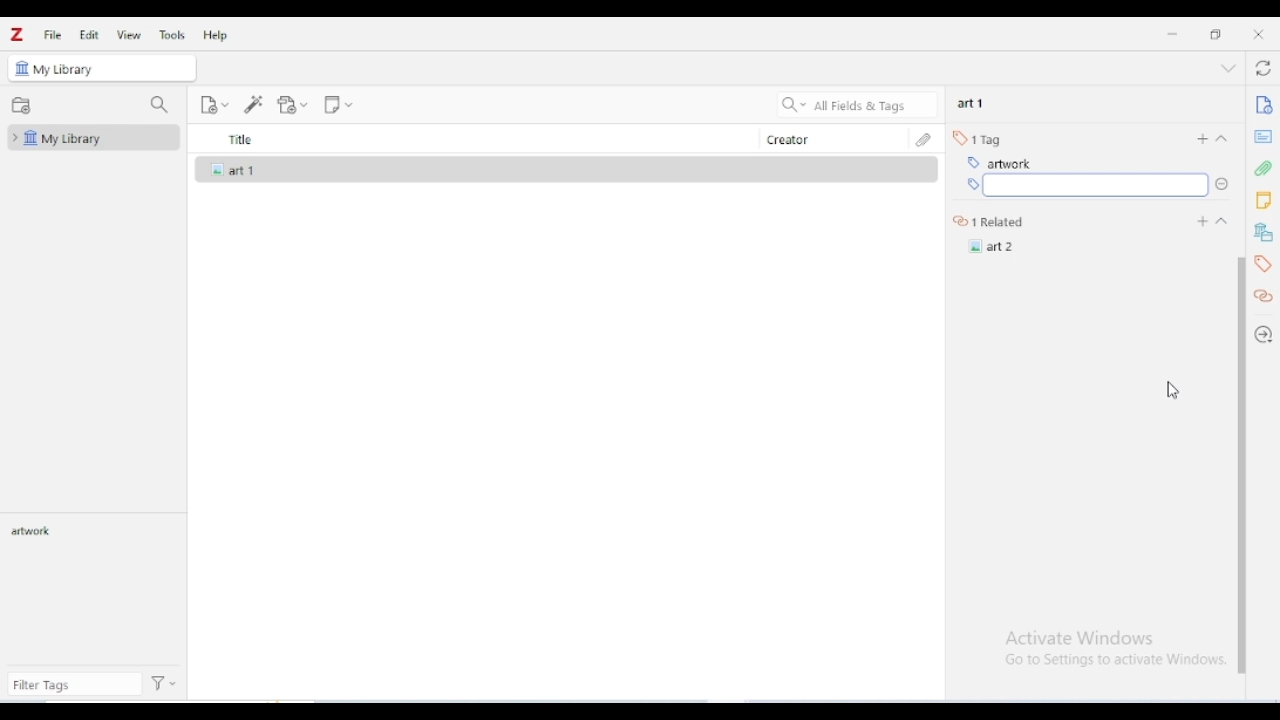 The image size is (1280, 720). What do you see at coordinates (1173, 388) in the screenshot?
I see `cursor` at bounding box center [1173, 388].